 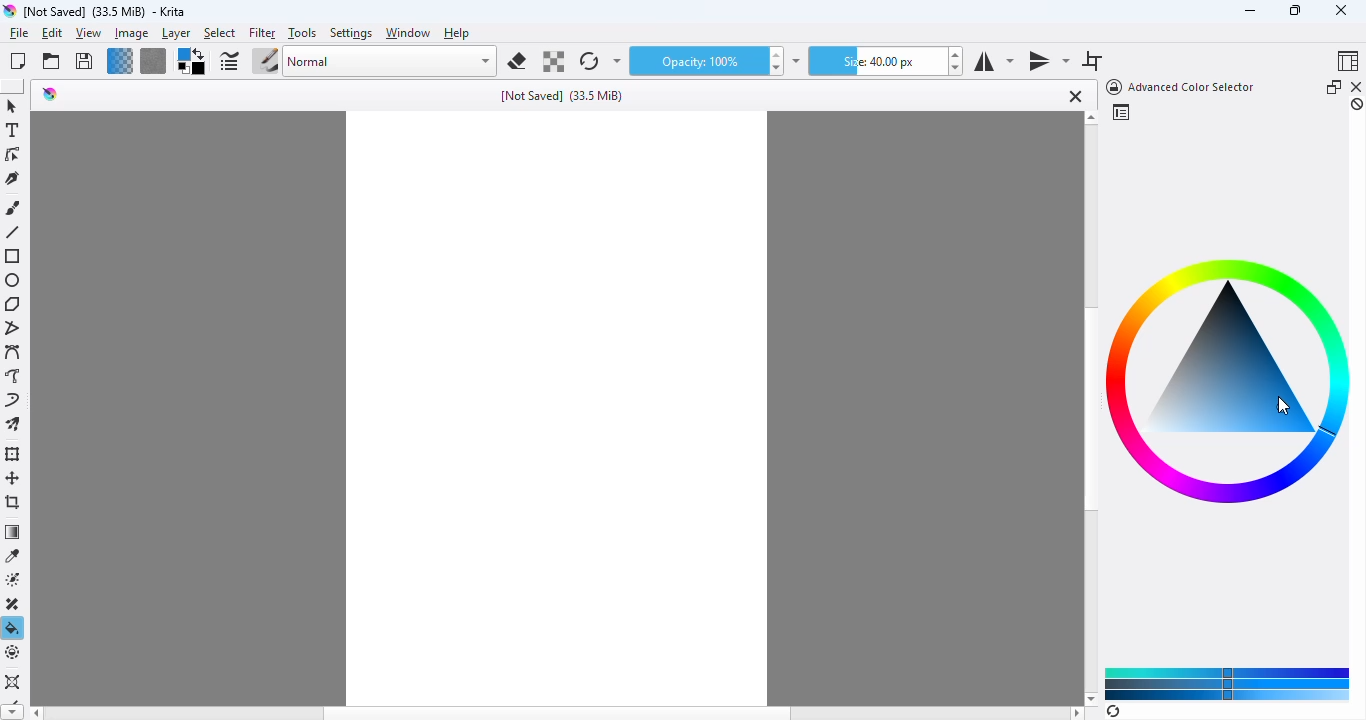 What do you see at coordinates (13, 130) in the screenshot?
I see `text tool` at bounding box center [13, 130].